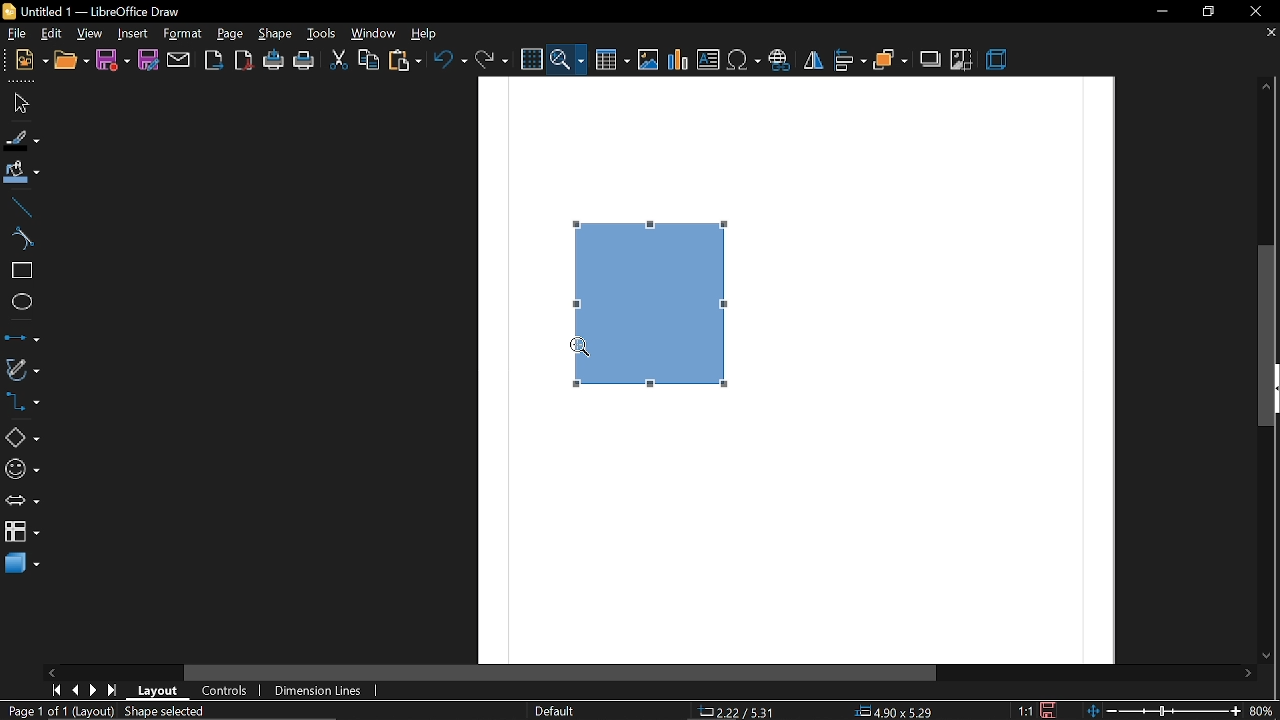  What do you see at coordinates (51, 32) in the screenshot?
I see `view` at bounding box center [51, 32].